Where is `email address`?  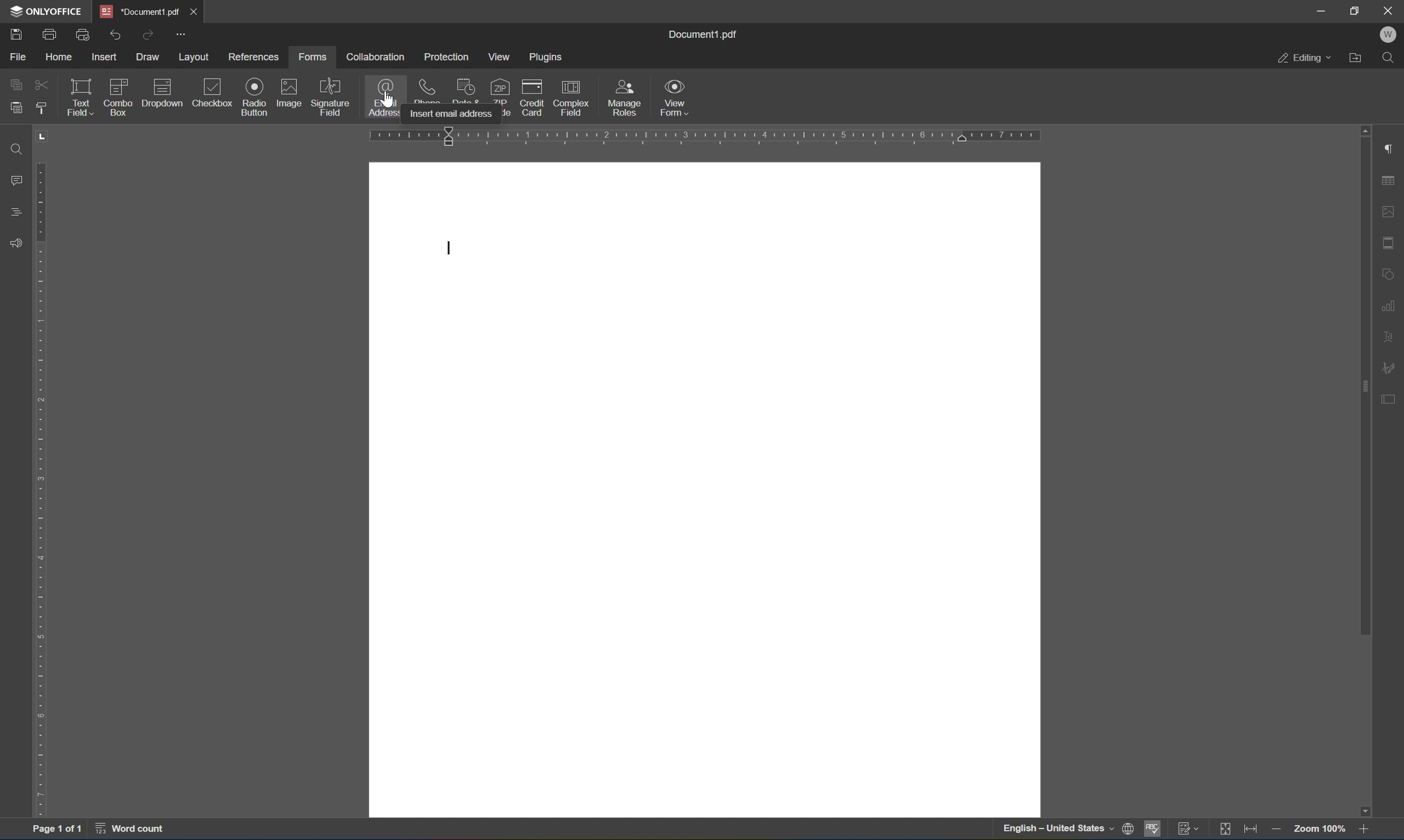 email address is located at coordinates (380, 98).